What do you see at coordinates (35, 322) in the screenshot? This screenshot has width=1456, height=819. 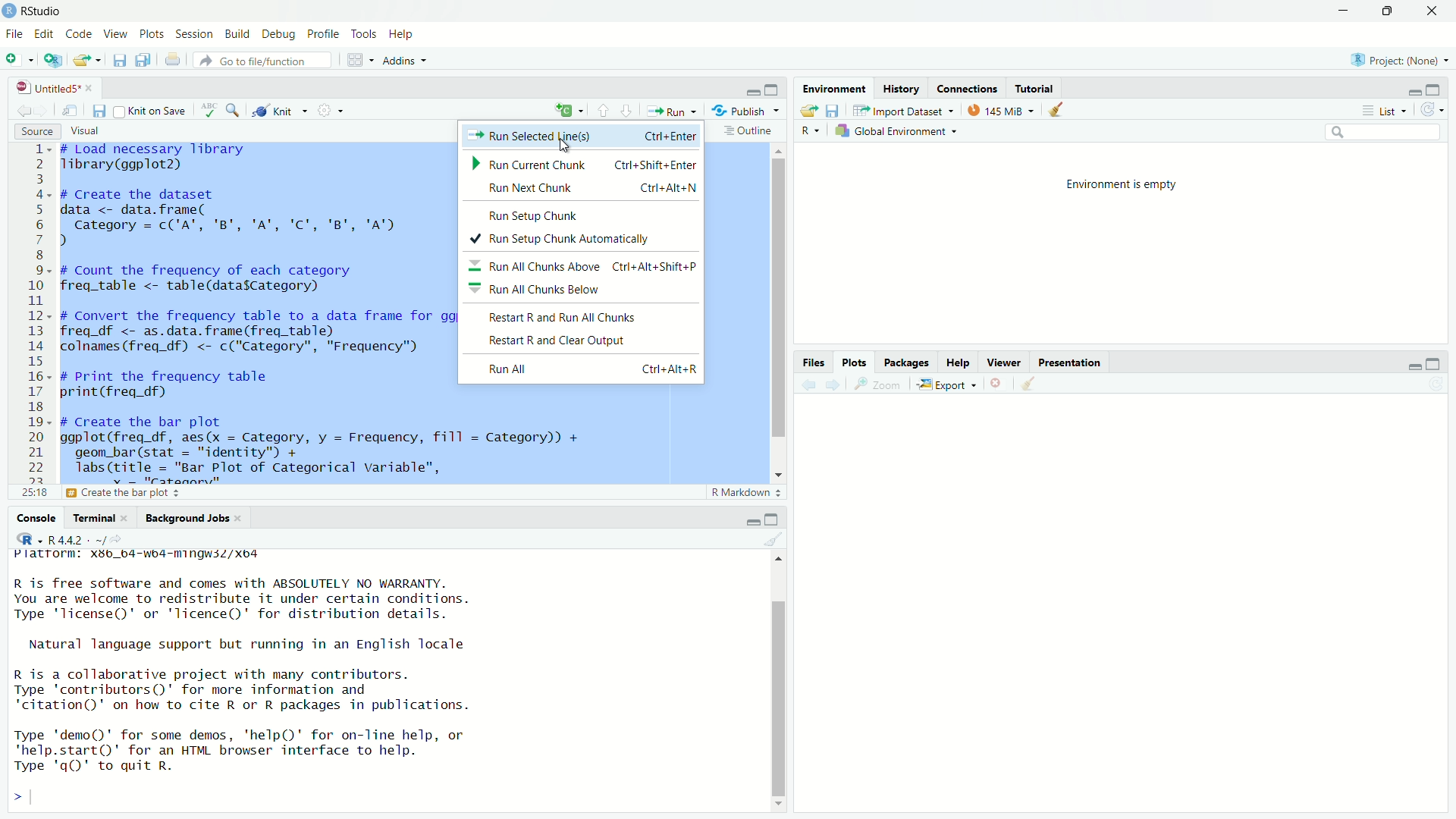 I see `lines` at bounding box center [35, 322].